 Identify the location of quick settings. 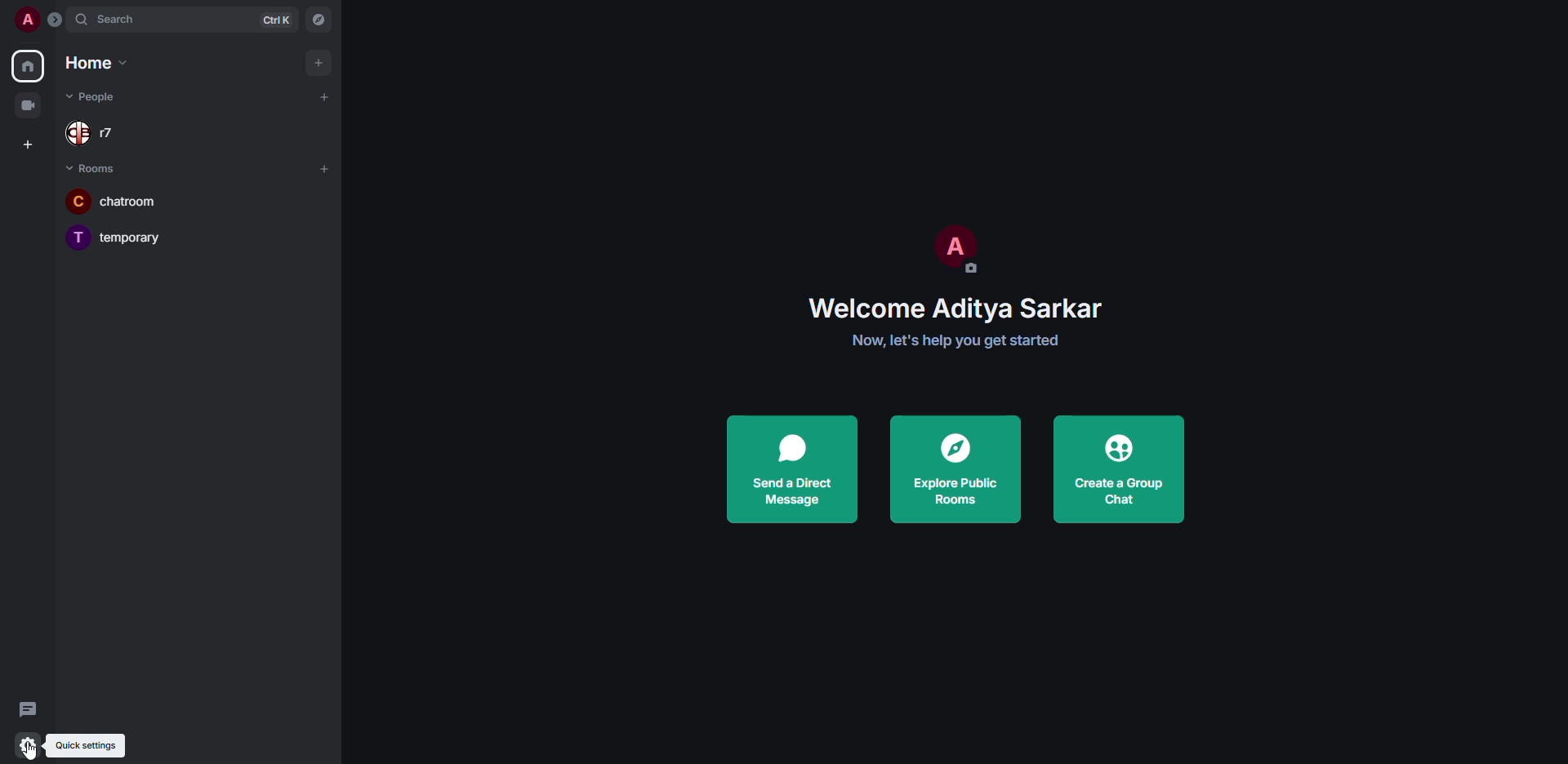
(87, 744).